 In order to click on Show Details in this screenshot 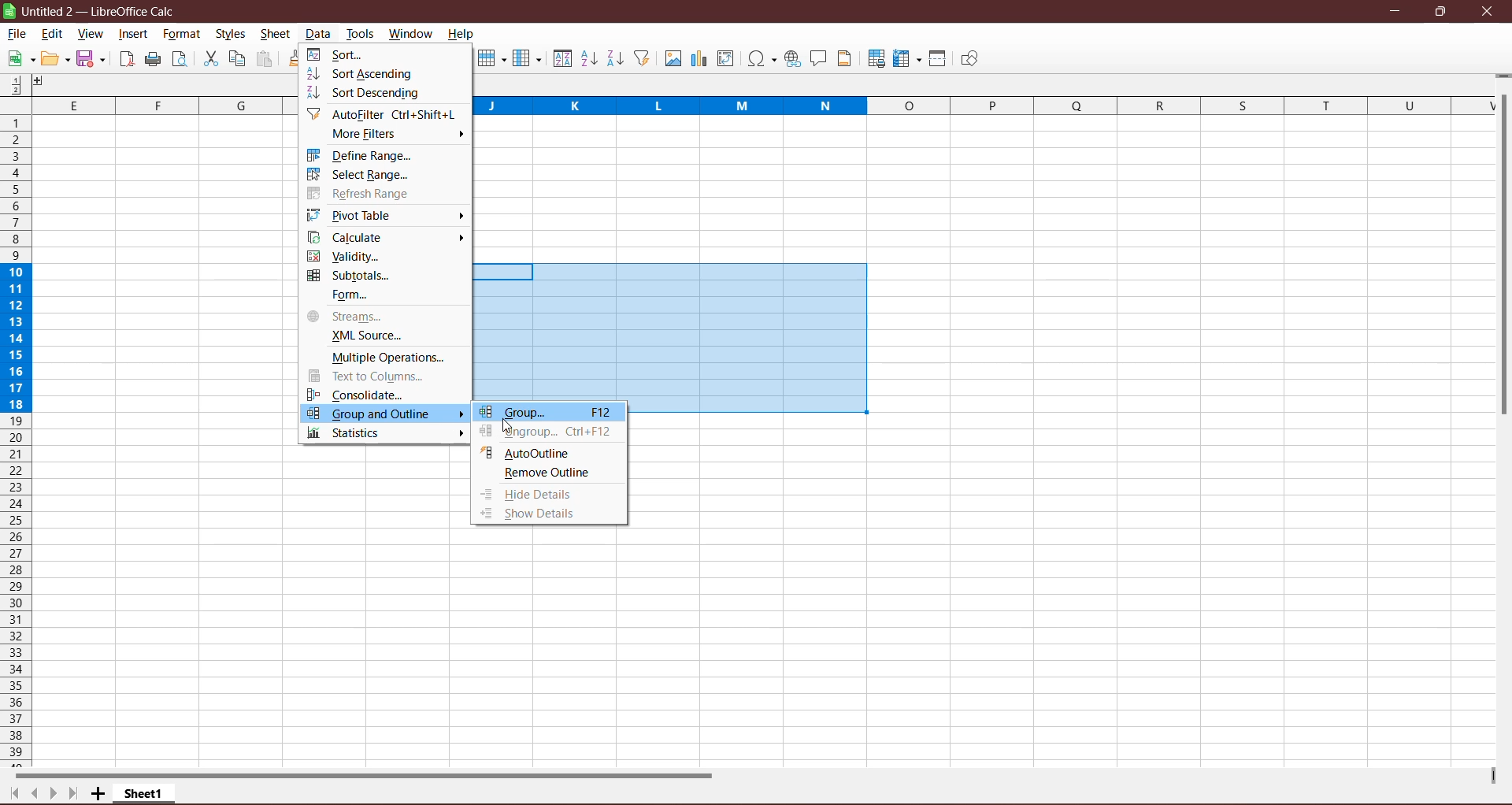, I will do `click(544, 514)`.